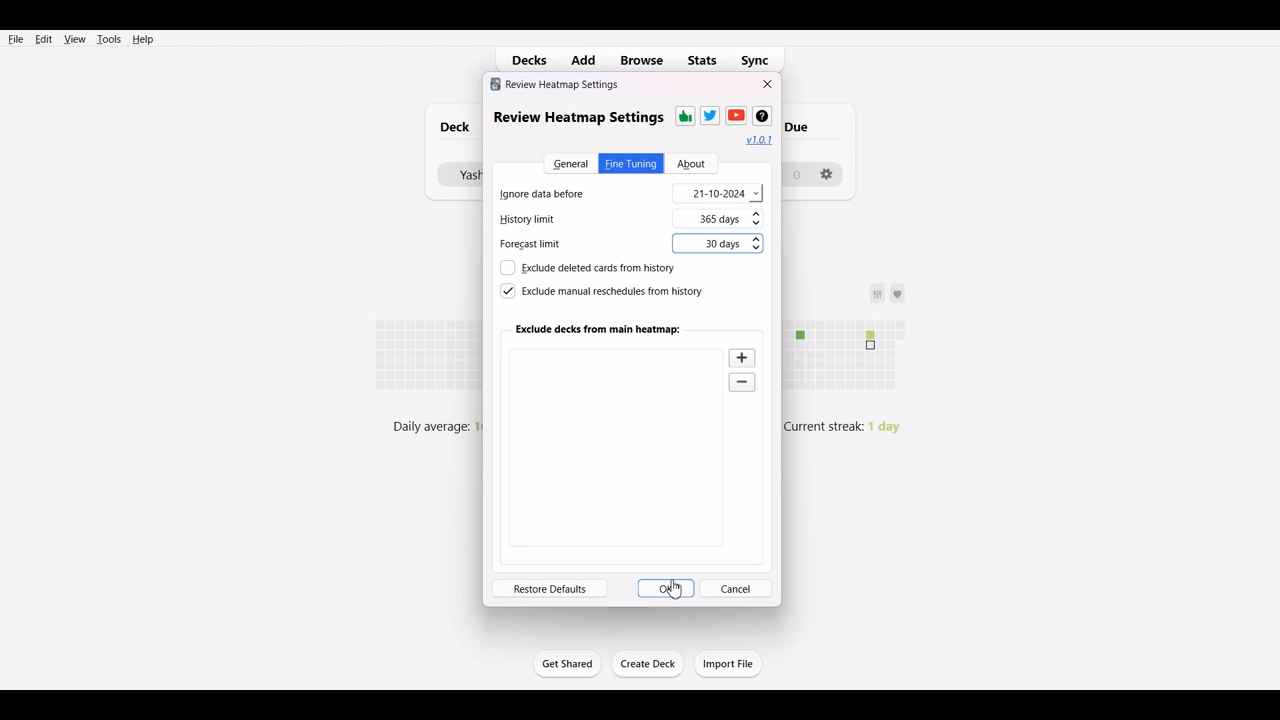 The height and width of the screenshot is (720, 1280). Describe the element at coordinates (428, 426) in the screenshot. I see `daily average` at that location.